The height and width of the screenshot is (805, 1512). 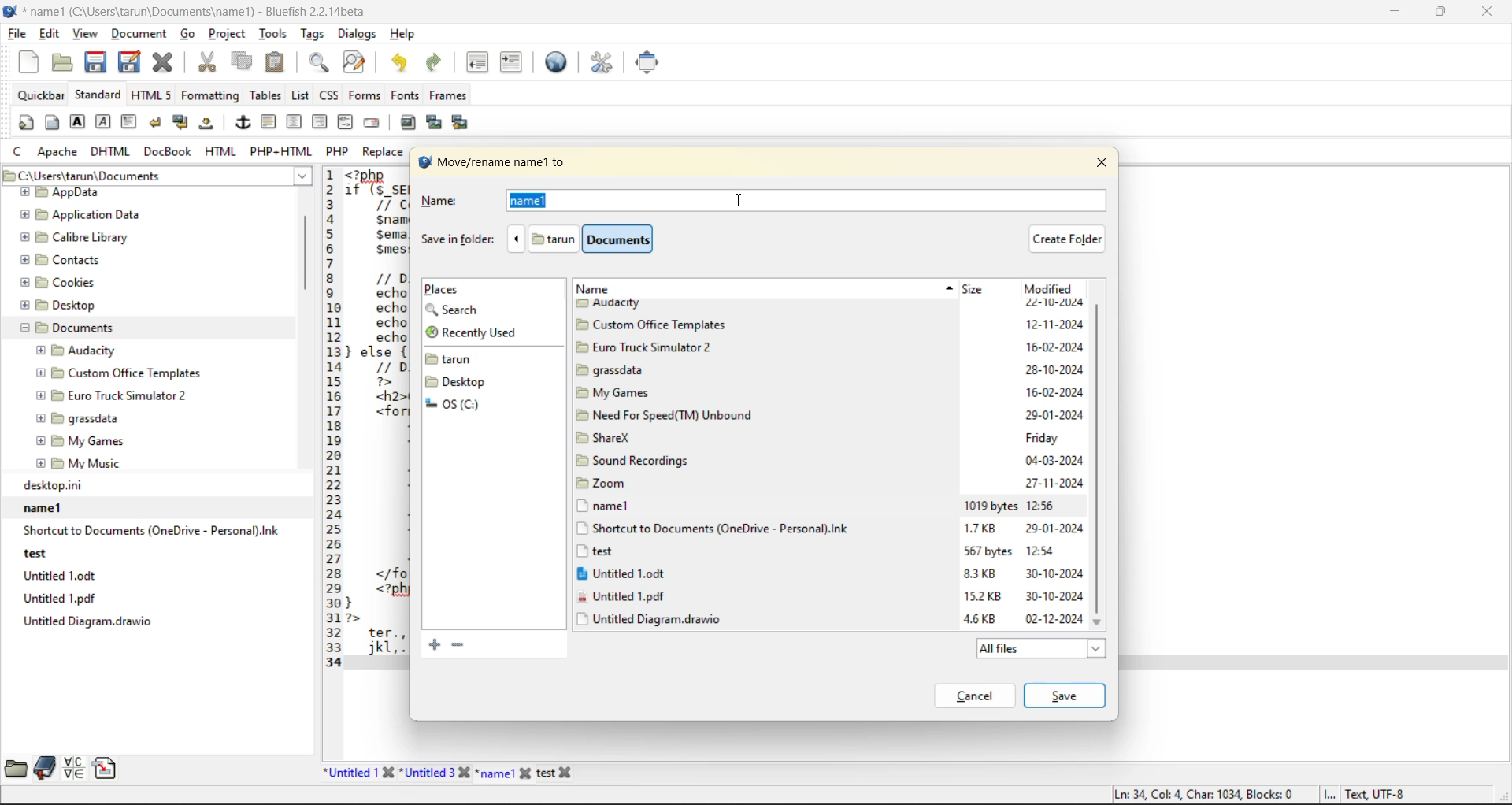 What do you see at coordinates (1064, 693) in the screenshot?
I see `save` at bounding box center [1064, 693].